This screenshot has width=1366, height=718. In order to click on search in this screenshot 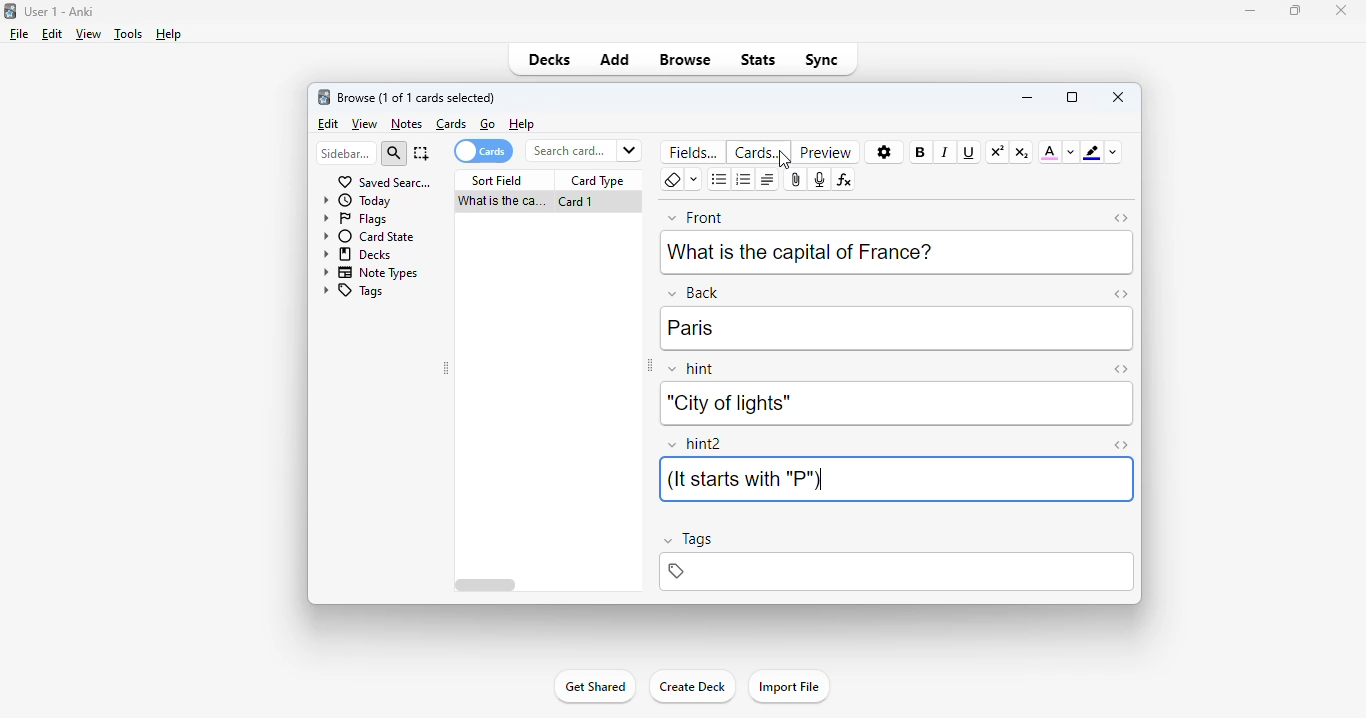, I will do `click(394, 154)`.